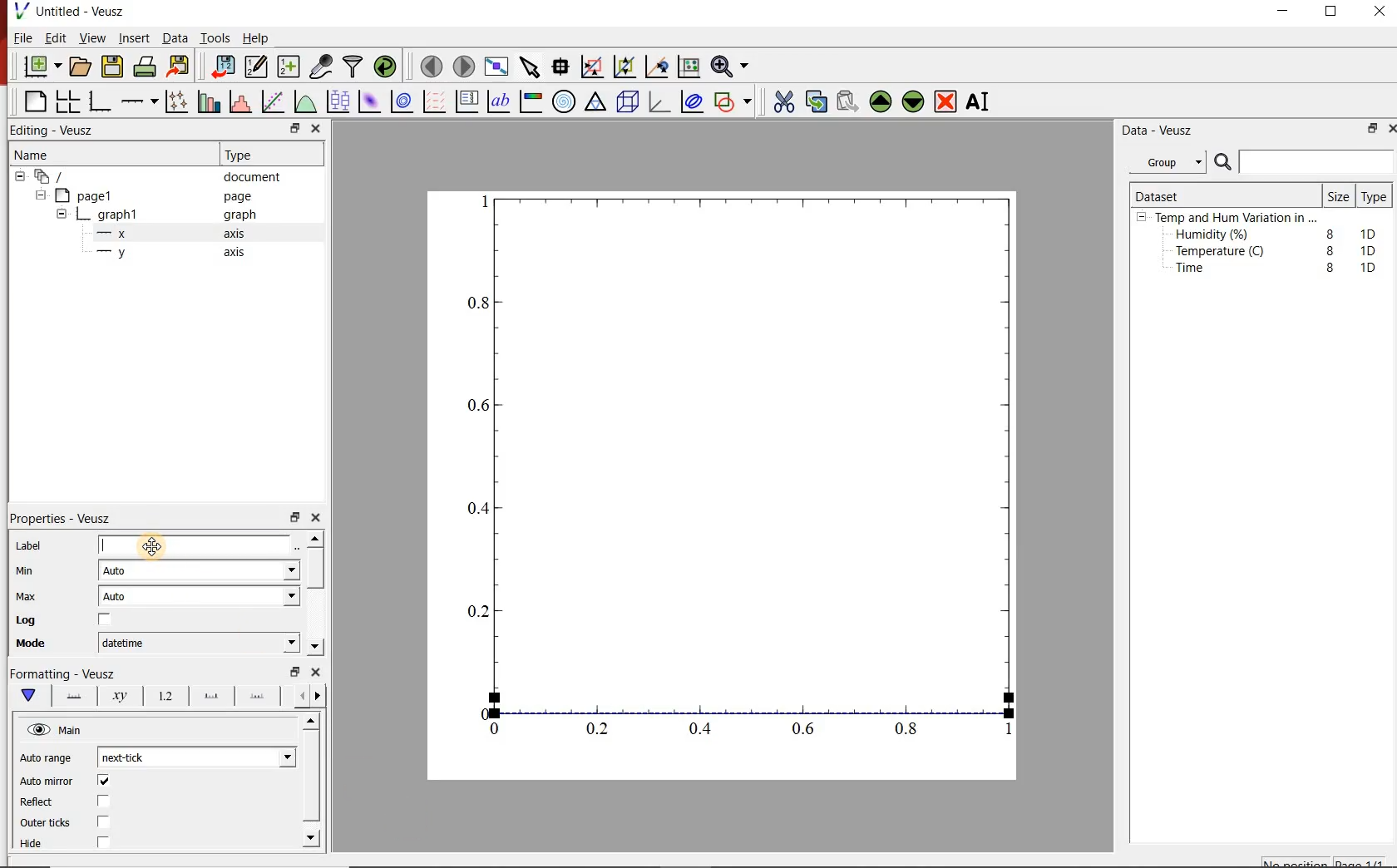 The width and height of the screenshot is (1397, 868). What do you see at coordinates (257, 37) in the screenshot?
I see `Help` at bounding box center [257, 37].